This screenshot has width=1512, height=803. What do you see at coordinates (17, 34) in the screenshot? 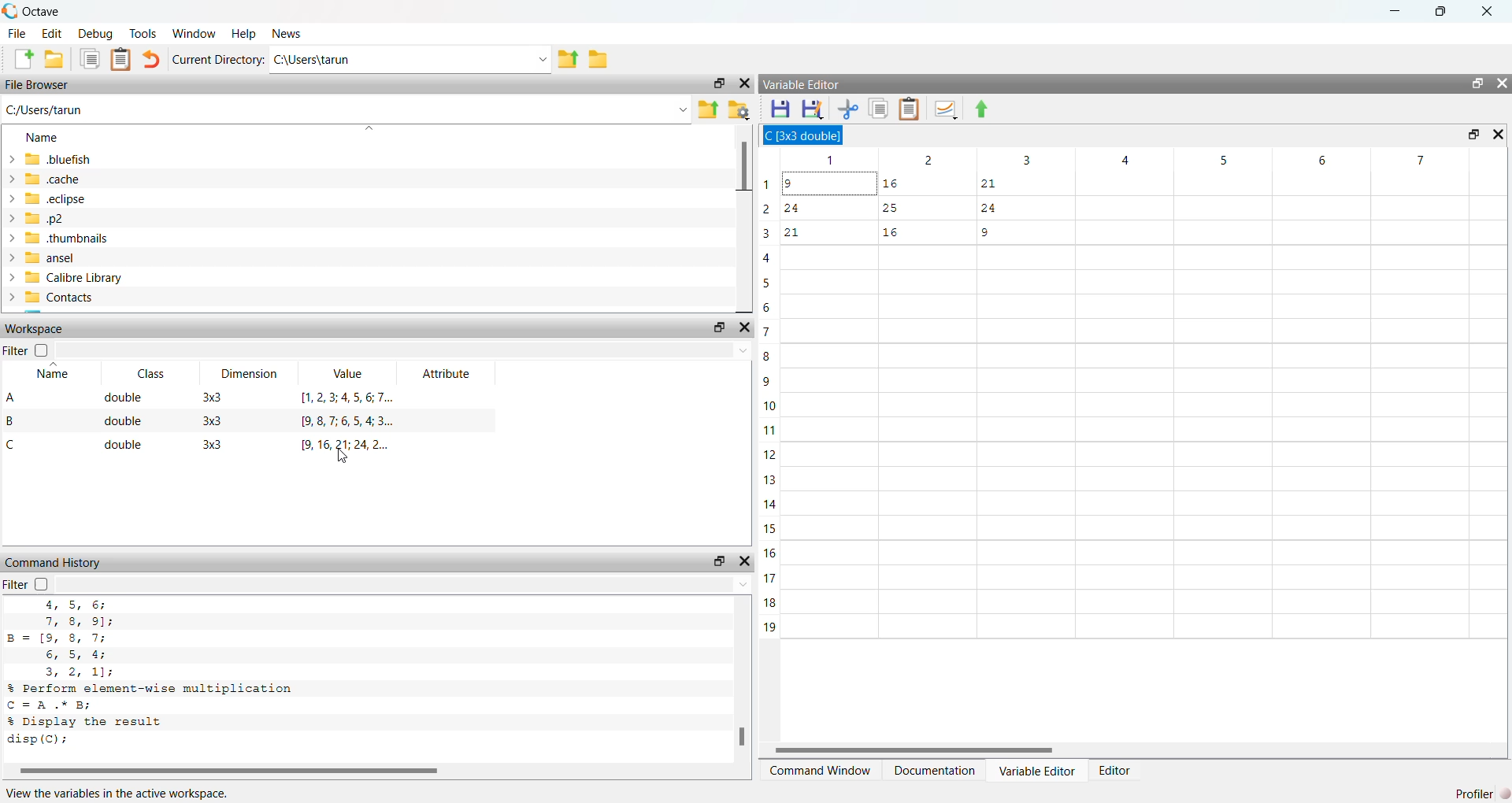
I see `File` at bounding box center [17, 34].